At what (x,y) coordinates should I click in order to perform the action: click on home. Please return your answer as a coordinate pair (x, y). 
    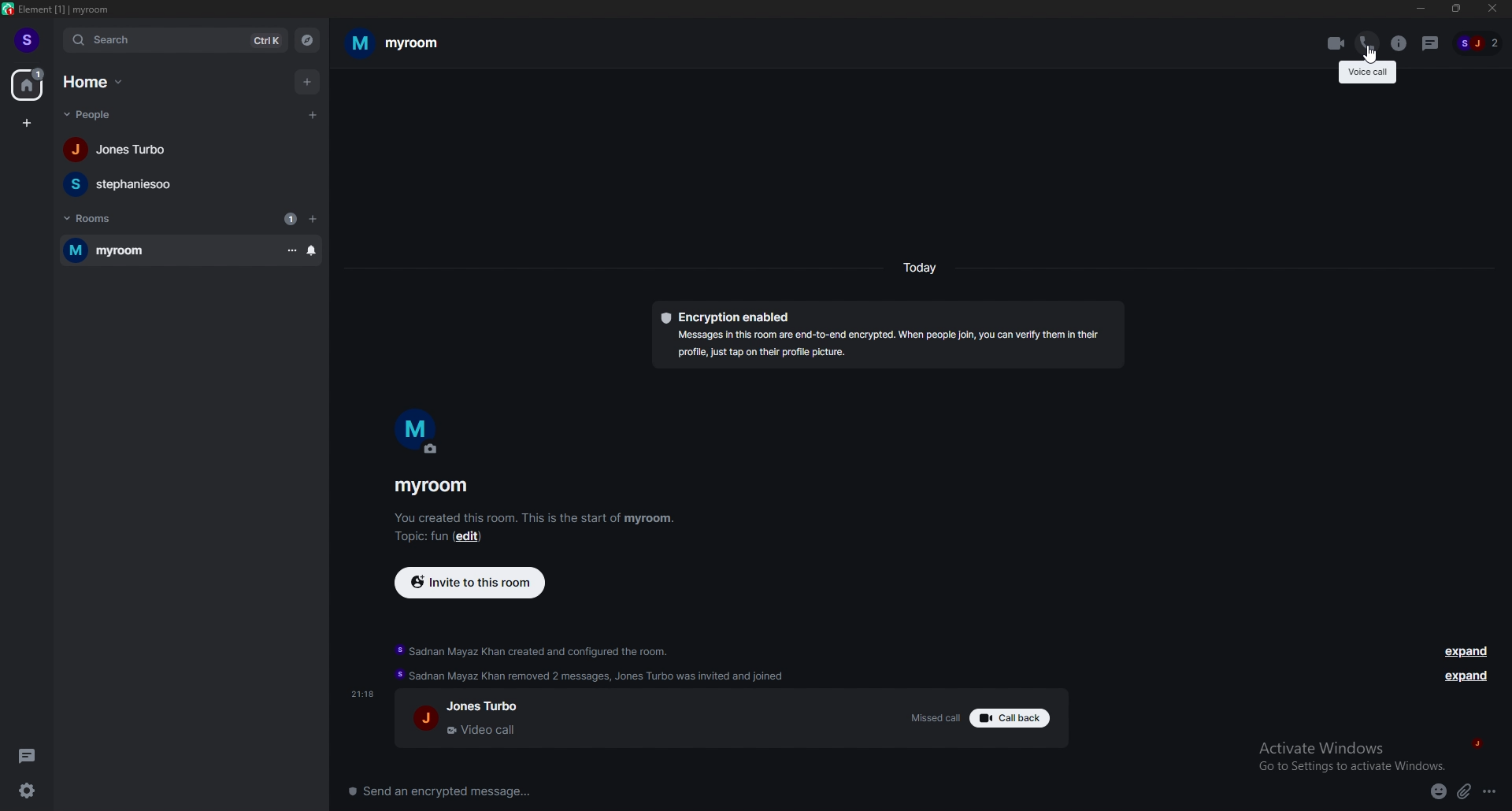
    Looking at the image, I should click on (28, 83).